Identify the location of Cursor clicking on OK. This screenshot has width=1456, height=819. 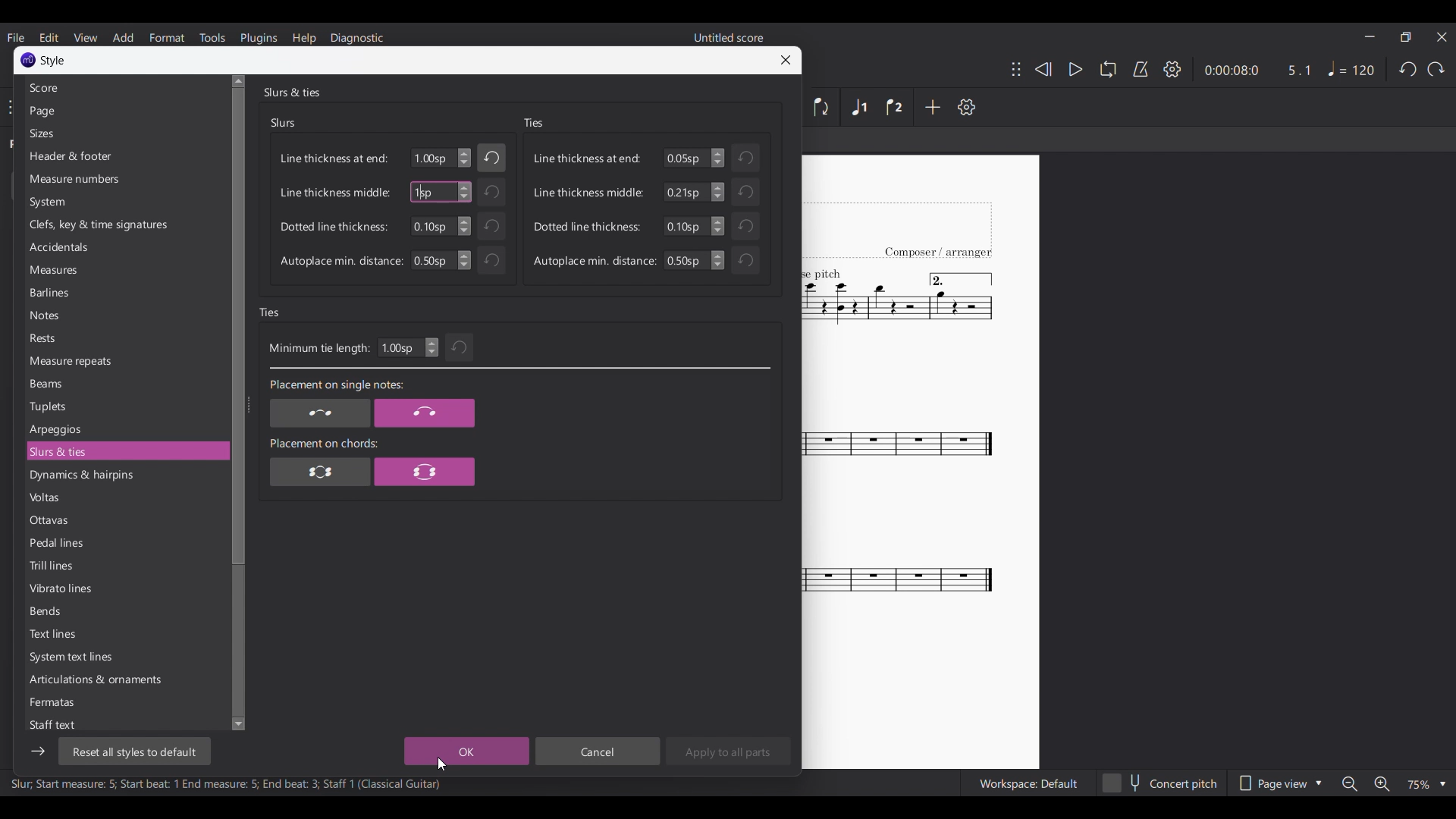
(442, 764).